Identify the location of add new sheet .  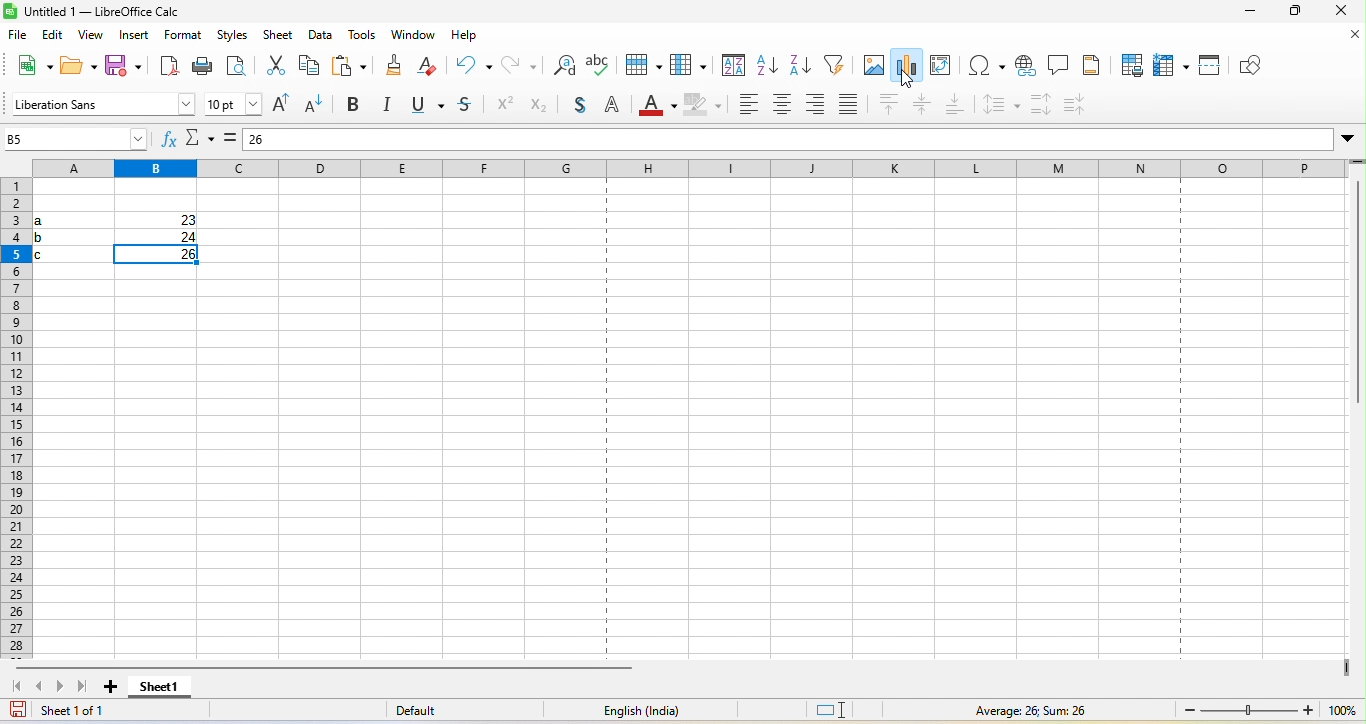
(111, 692).